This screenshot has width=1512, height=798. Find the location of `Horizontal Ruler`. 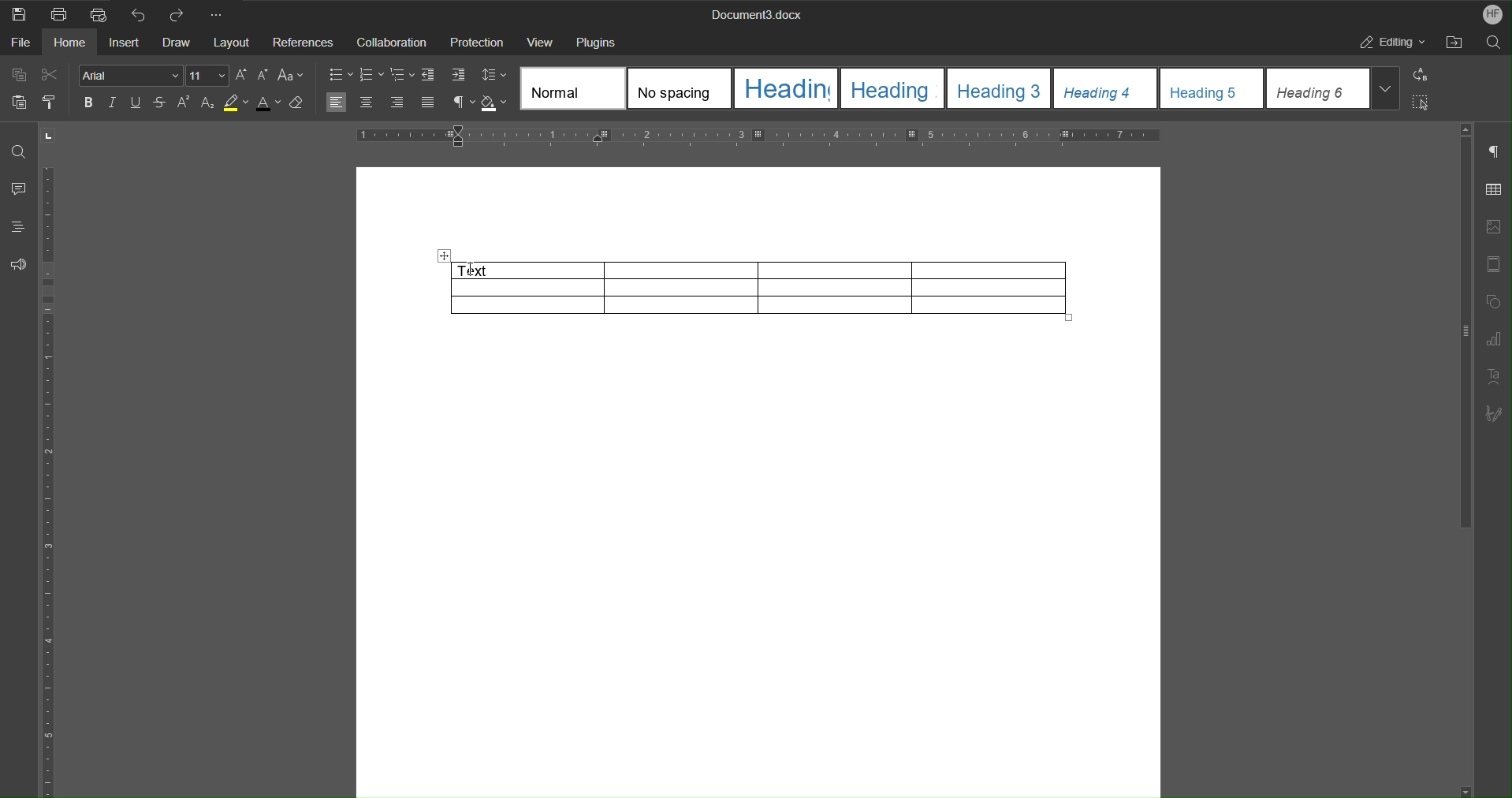

Horizontal Ruler is located at coordinates (758, 138).